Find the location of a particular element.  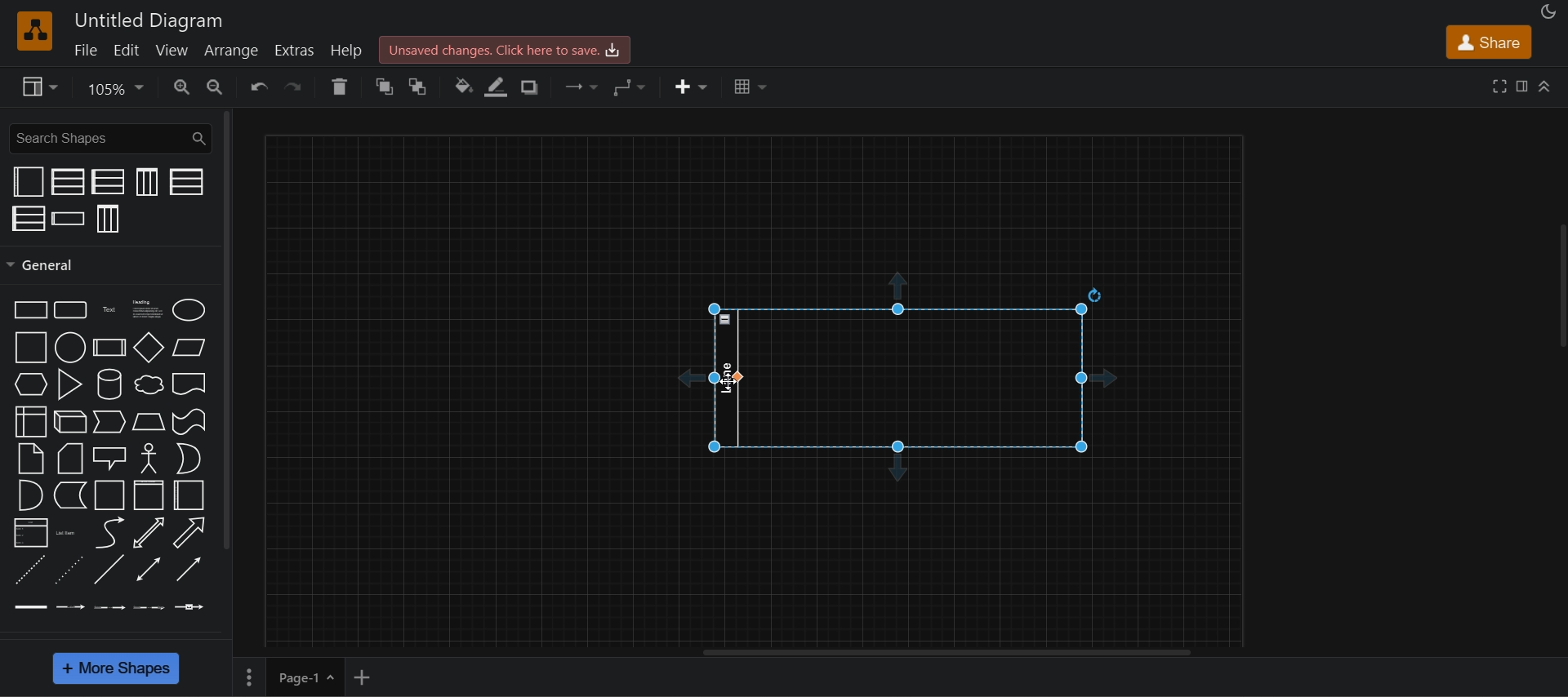

insert  is located at coordinates (693, 87).